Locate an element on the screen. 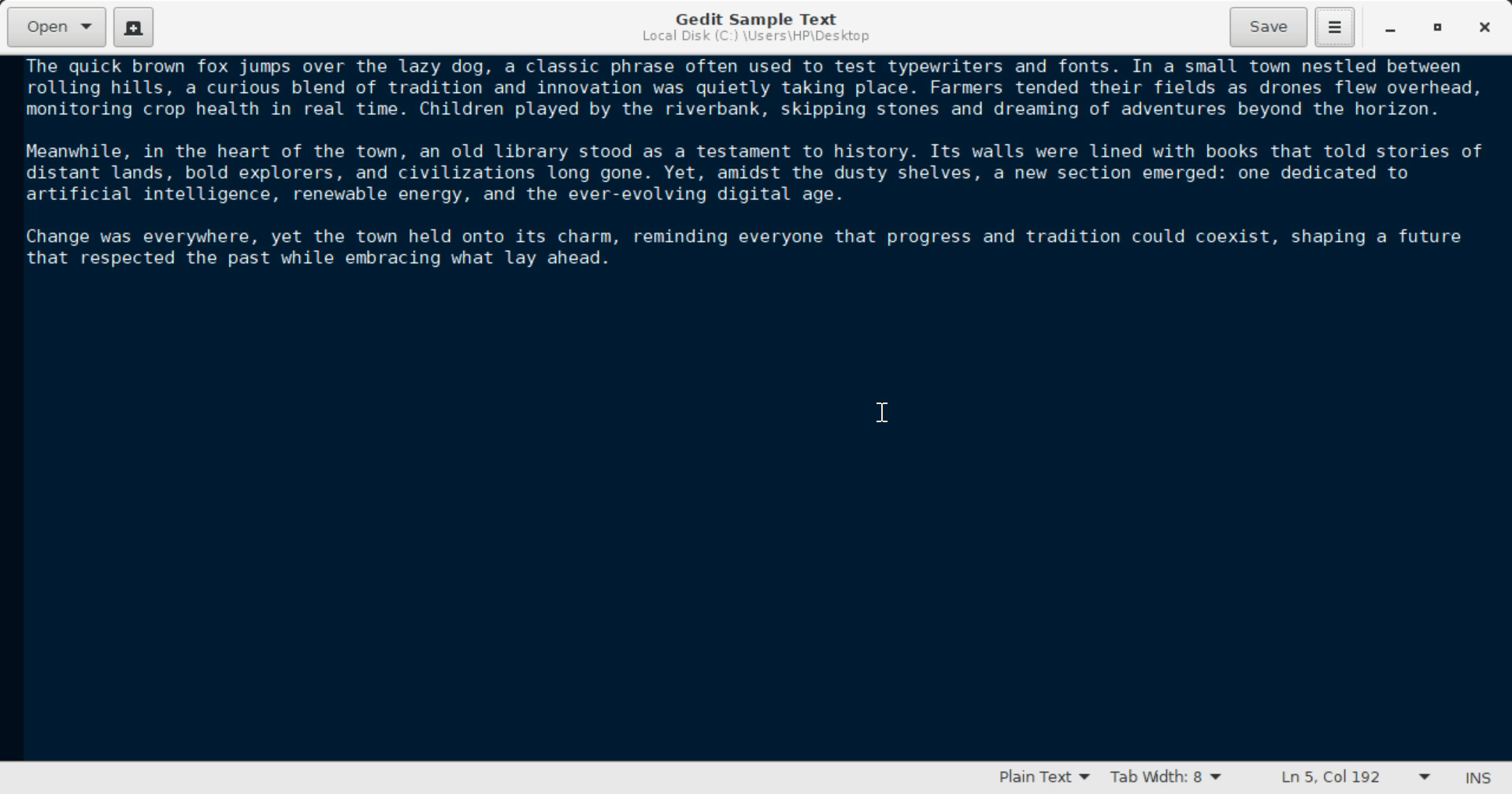 The height and width of the screenshot is (794, 1512). Gedit Sample Text is located at coordinates (752, 17).